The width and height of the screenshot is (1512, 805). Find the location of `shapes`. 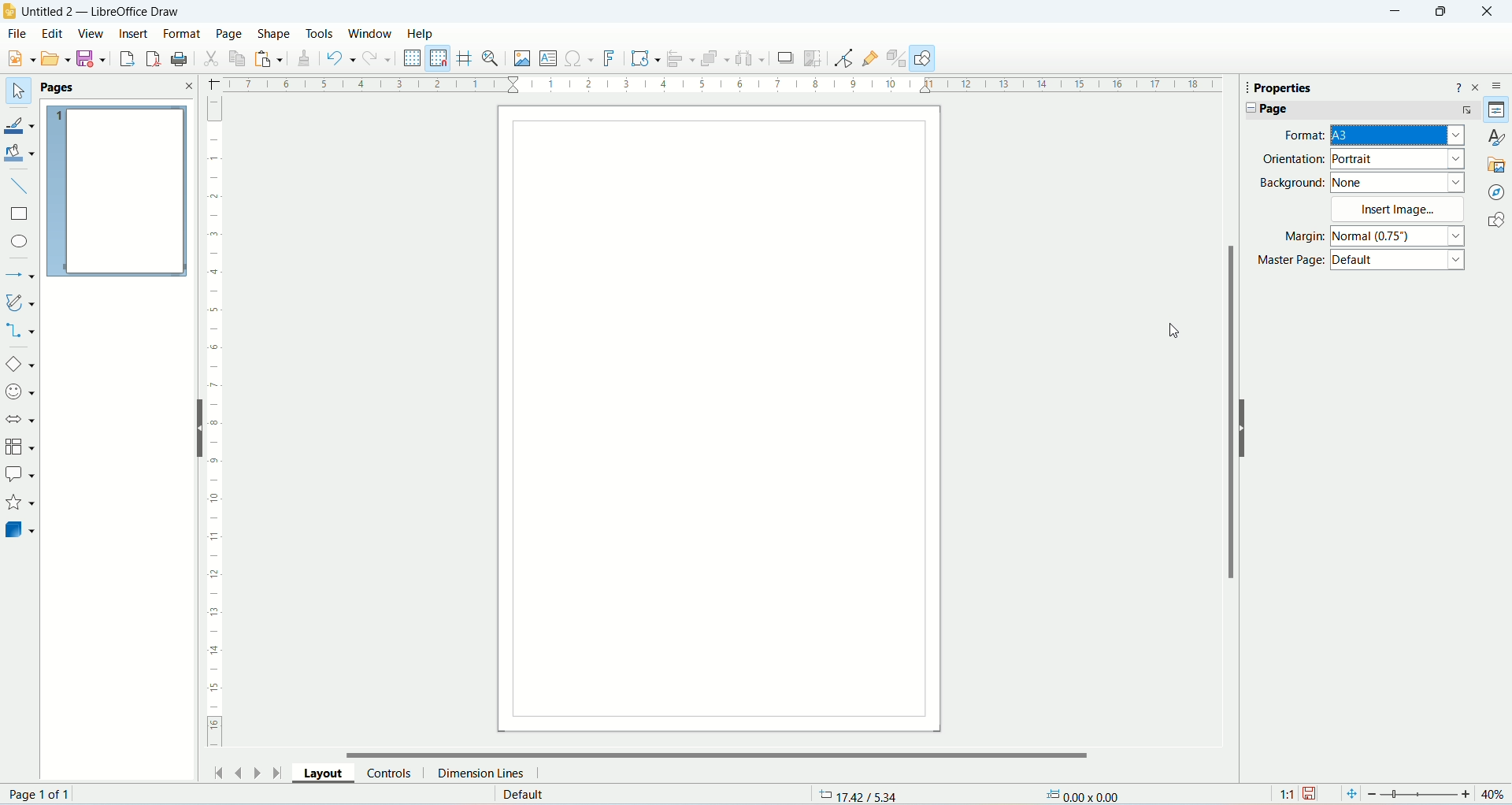

shapes is located at coordinates (1495, 217).